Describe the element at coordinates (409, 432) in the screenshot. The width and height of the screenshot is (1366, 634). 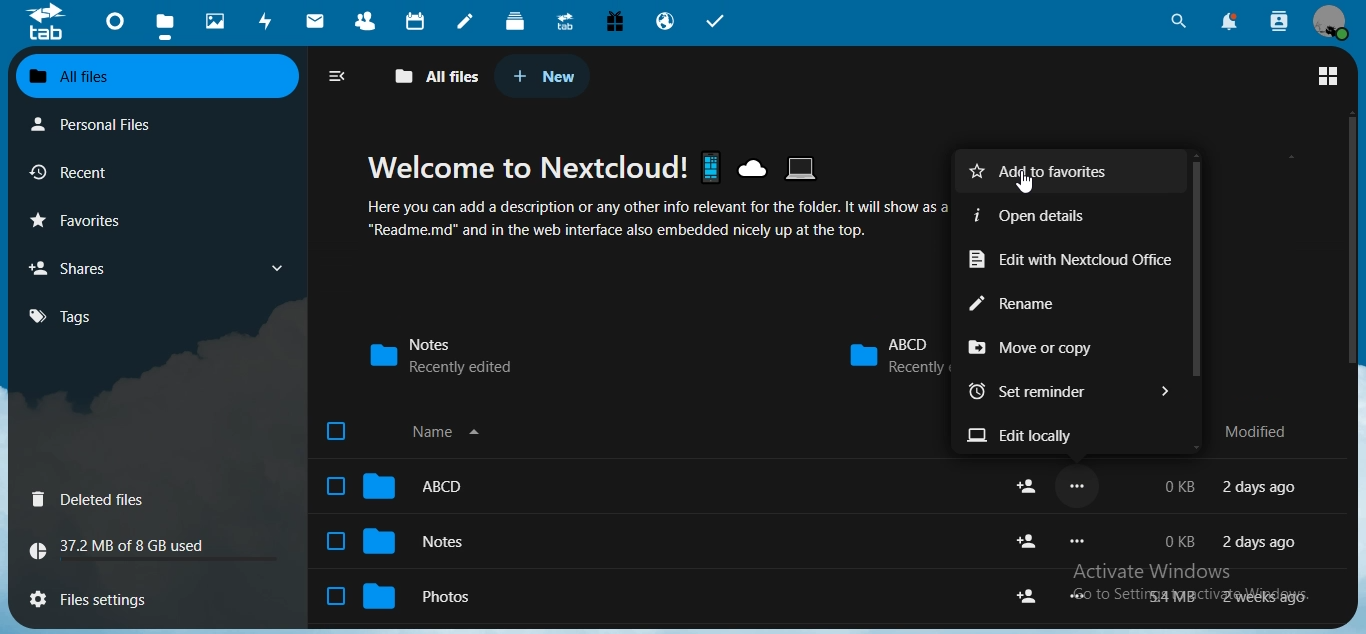
I see `name` at that location.